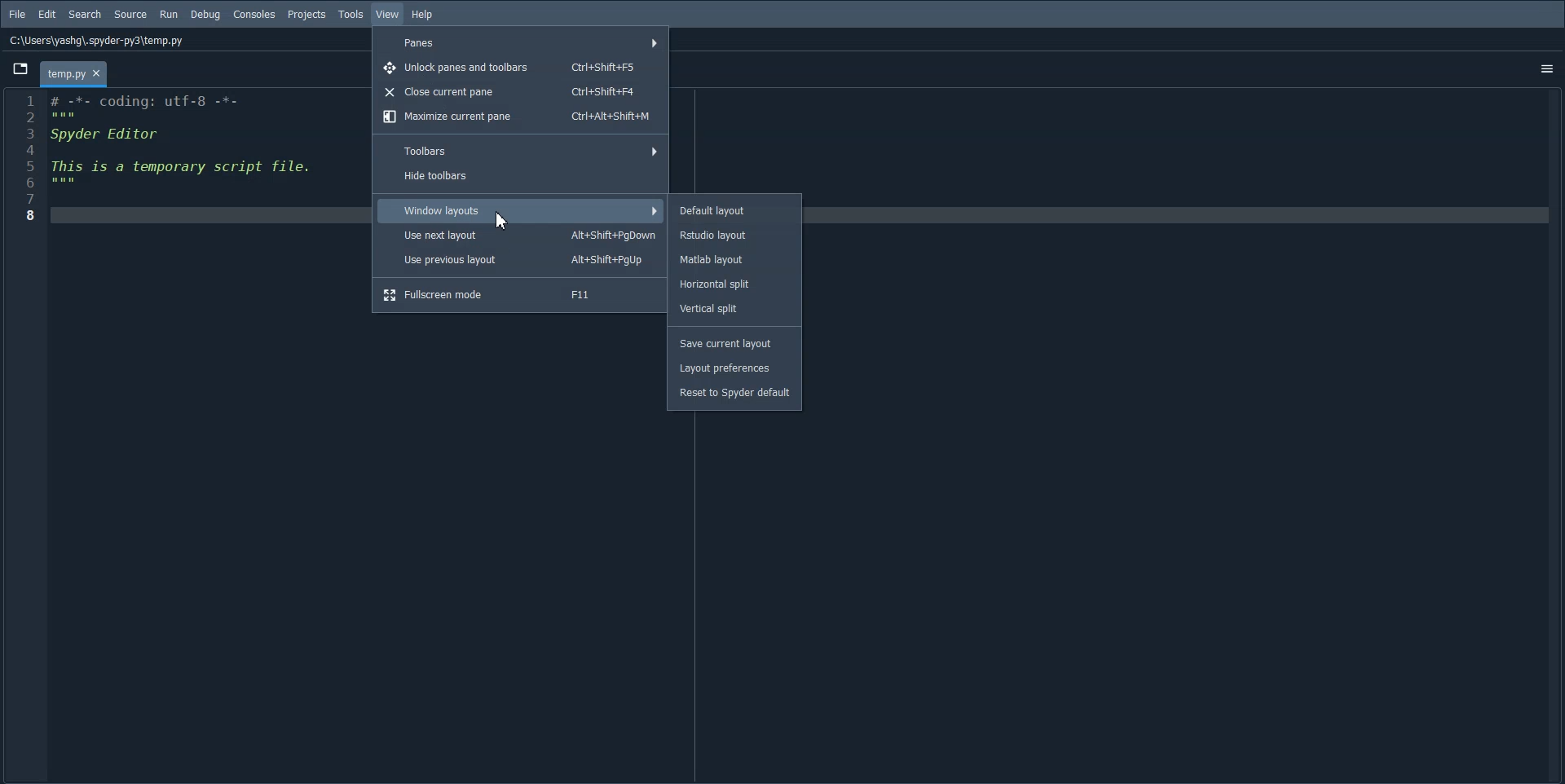  Describe the element at coordinates (169, 15) in the screenshot. I see `Run` at that location.